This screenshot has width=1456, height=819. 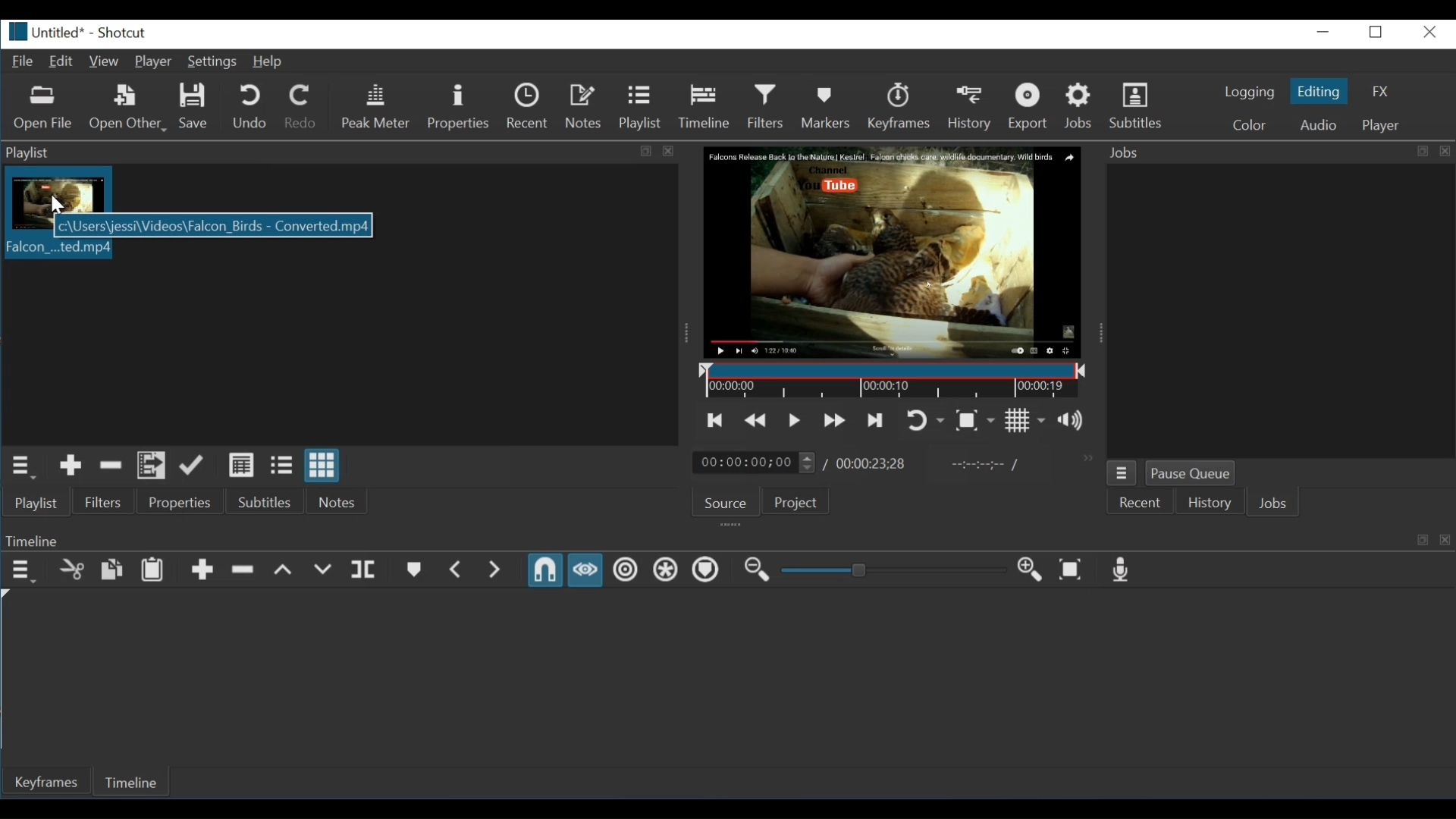 I want to click on Job menu, so click(x=1122, y=474).